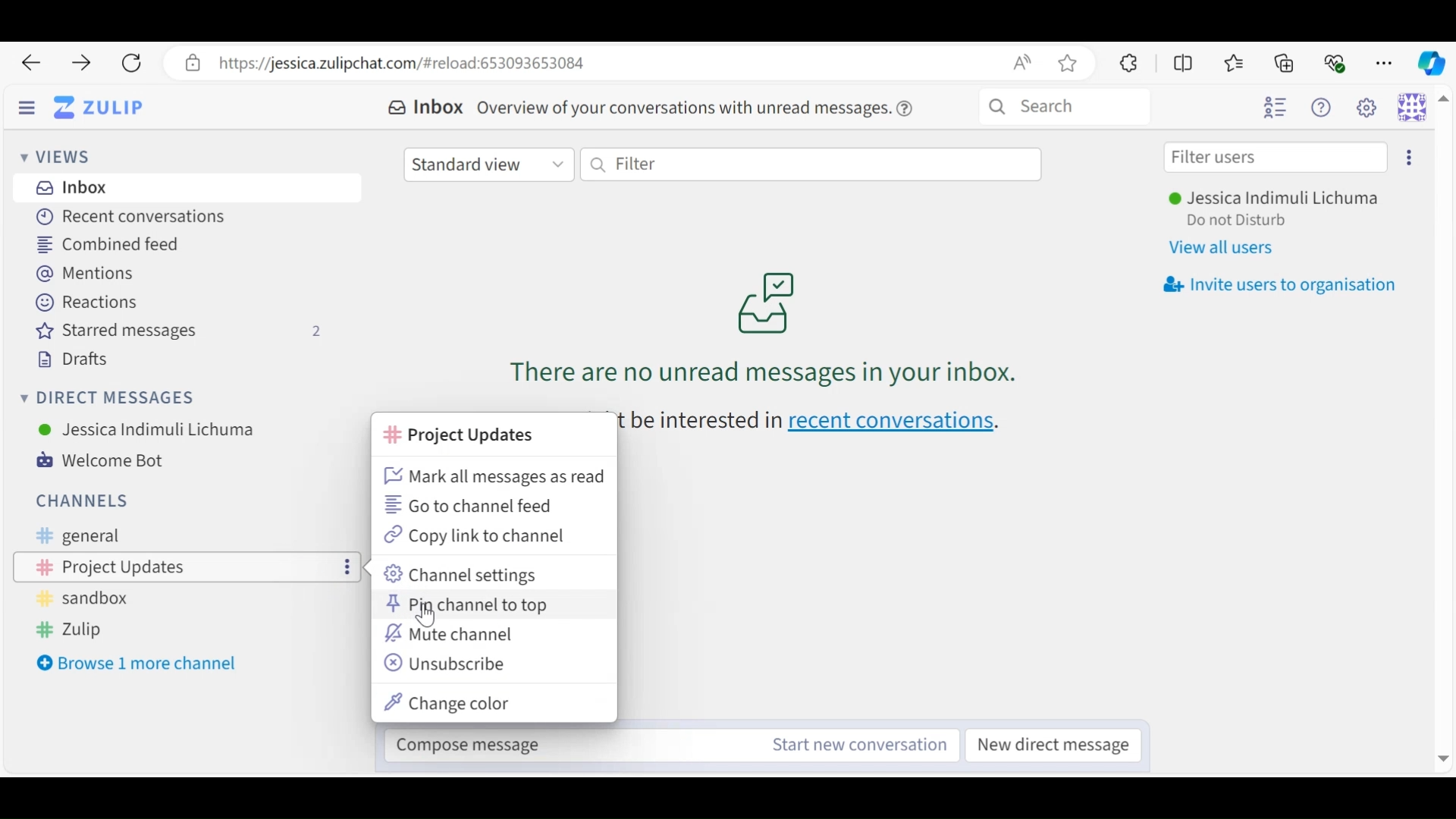  I want to click on Settigs and more, so click(1386, 63).